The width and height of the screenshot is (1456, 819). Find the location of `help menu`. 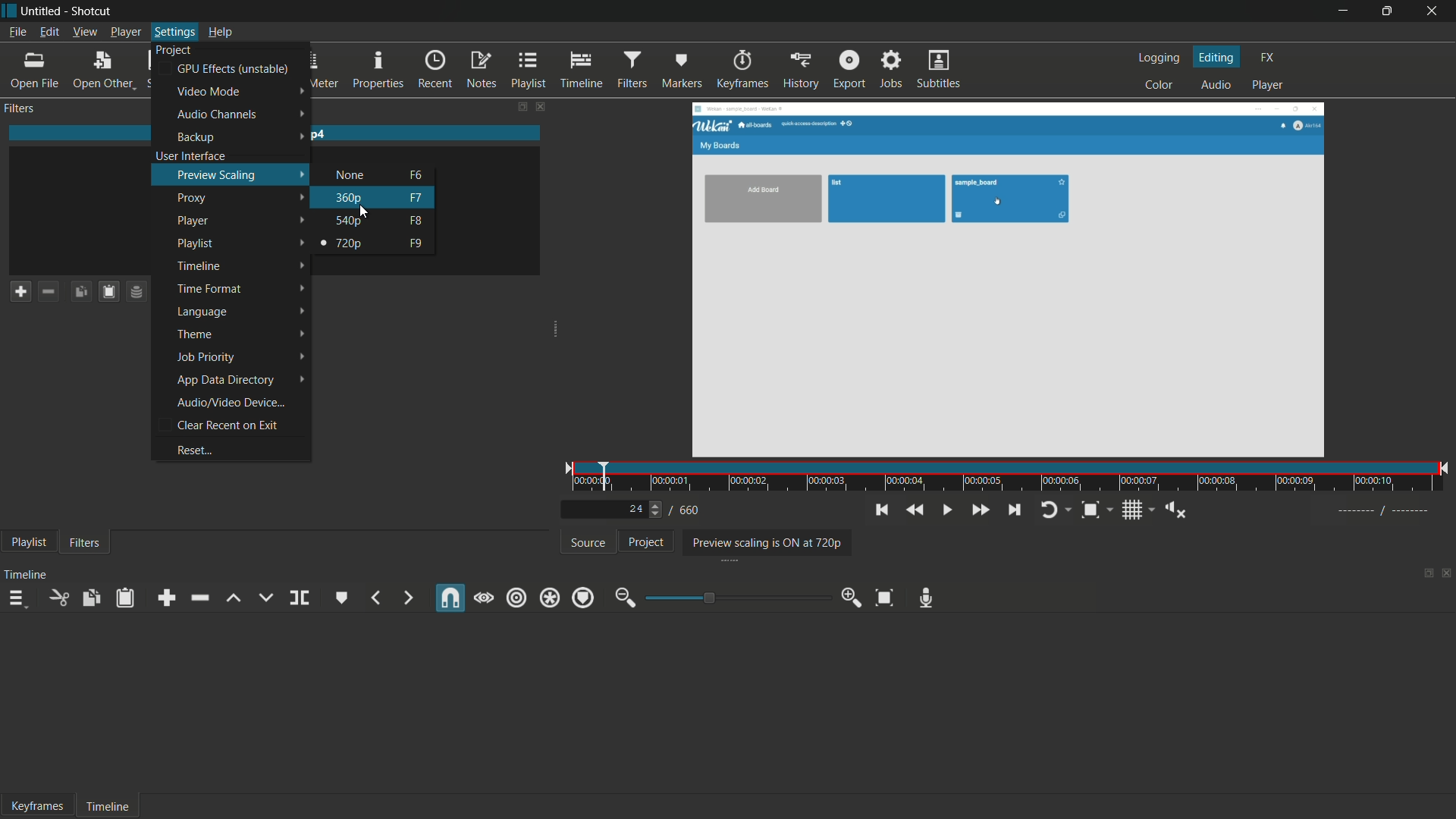

help menu is located at coordinates (218, 31).